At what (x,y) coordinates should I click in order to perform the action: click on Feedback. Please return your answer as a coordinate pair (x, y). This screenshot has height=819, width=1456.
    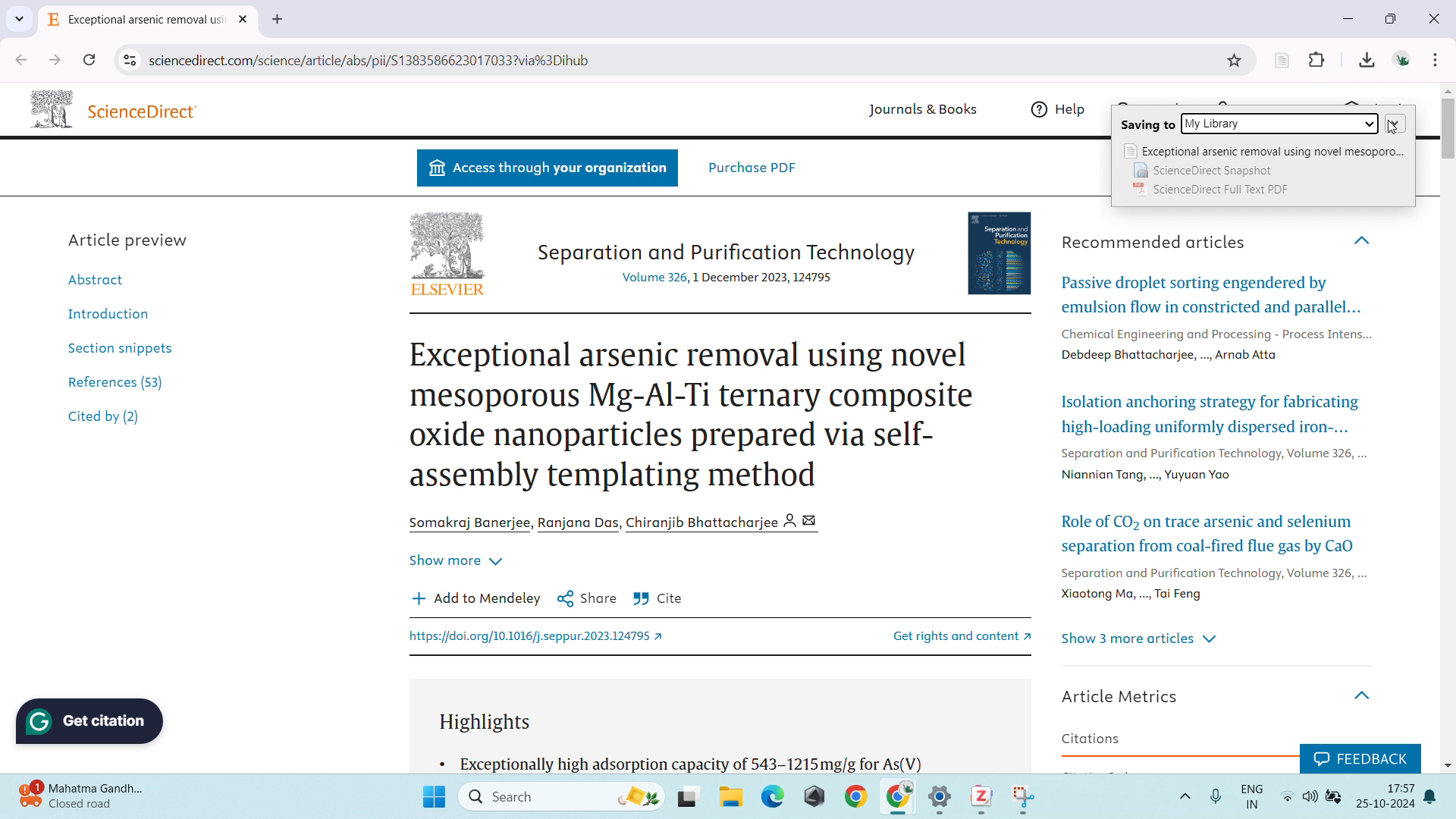
    Looking at the image, I should click on (1359, 756).